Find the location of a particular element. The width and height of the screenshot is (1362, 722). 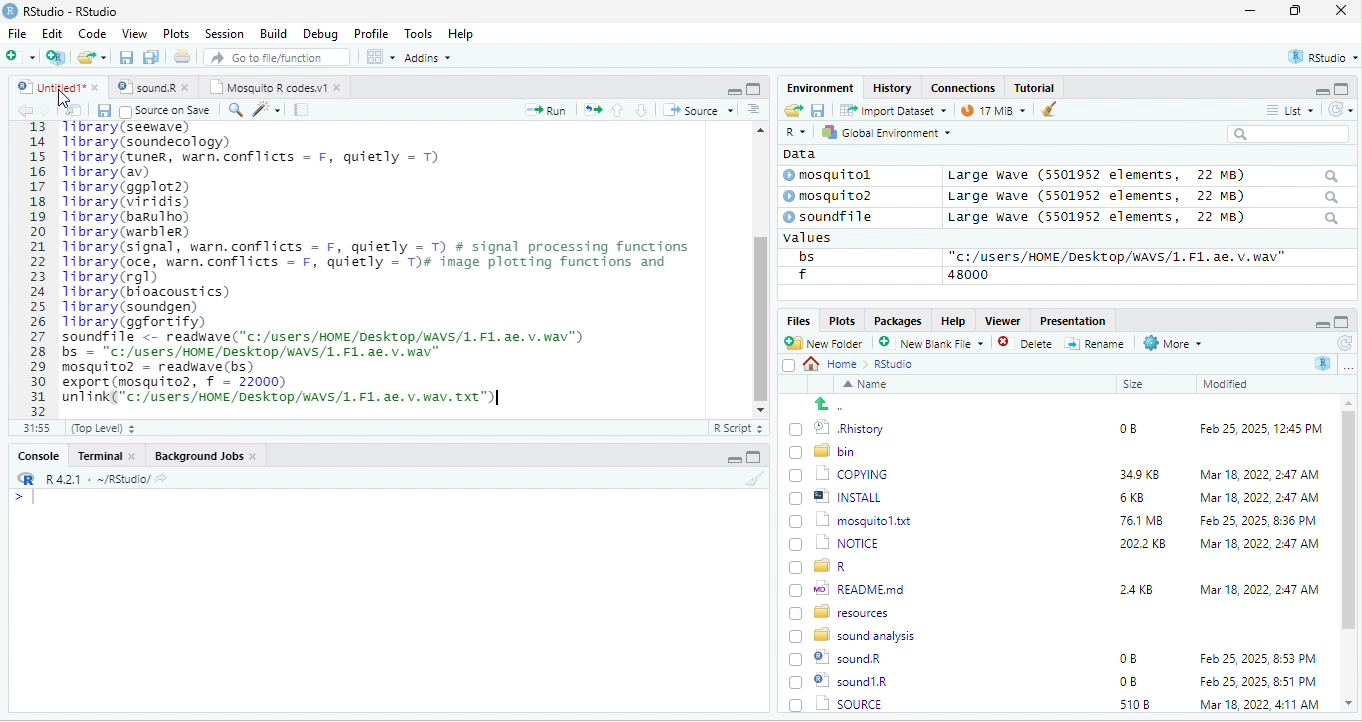

History is located at coordinates (893, 87).